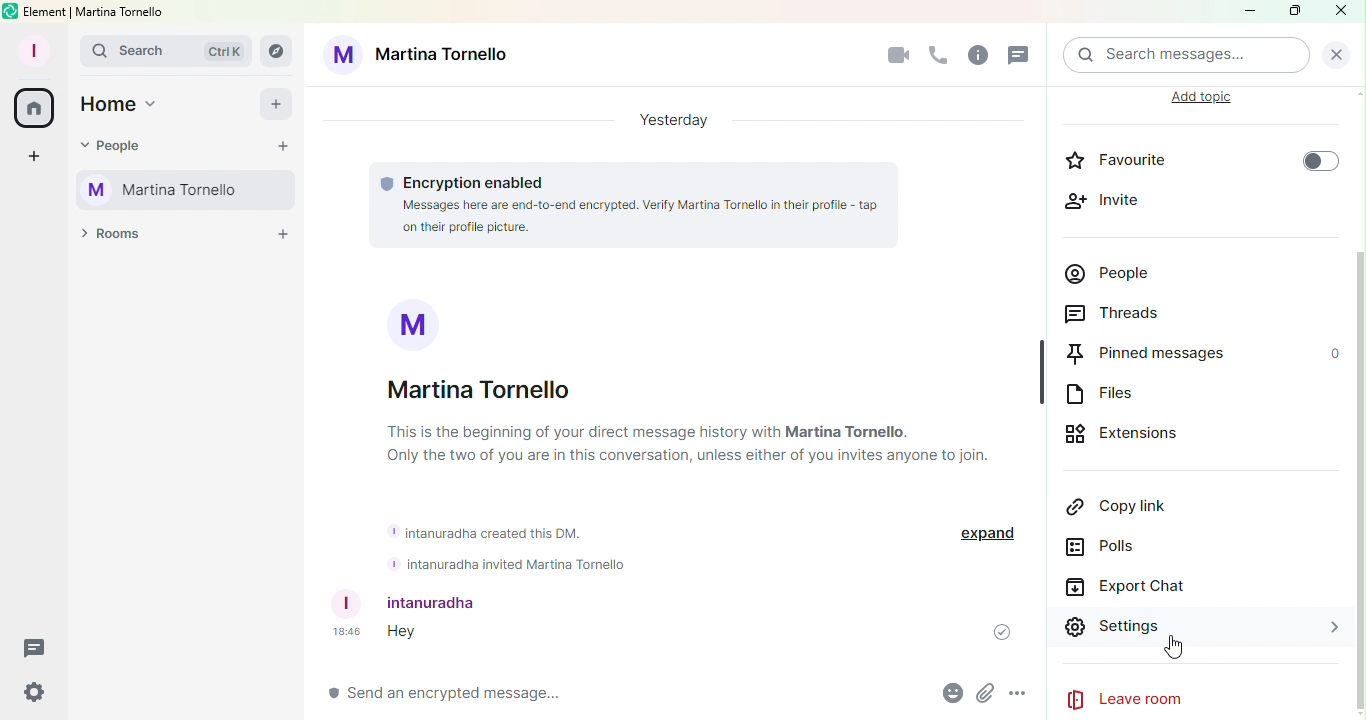 Image resolution: width=1366 pixels, height=720 pixels. I want to click on Copy Link, so click(1197, 504).